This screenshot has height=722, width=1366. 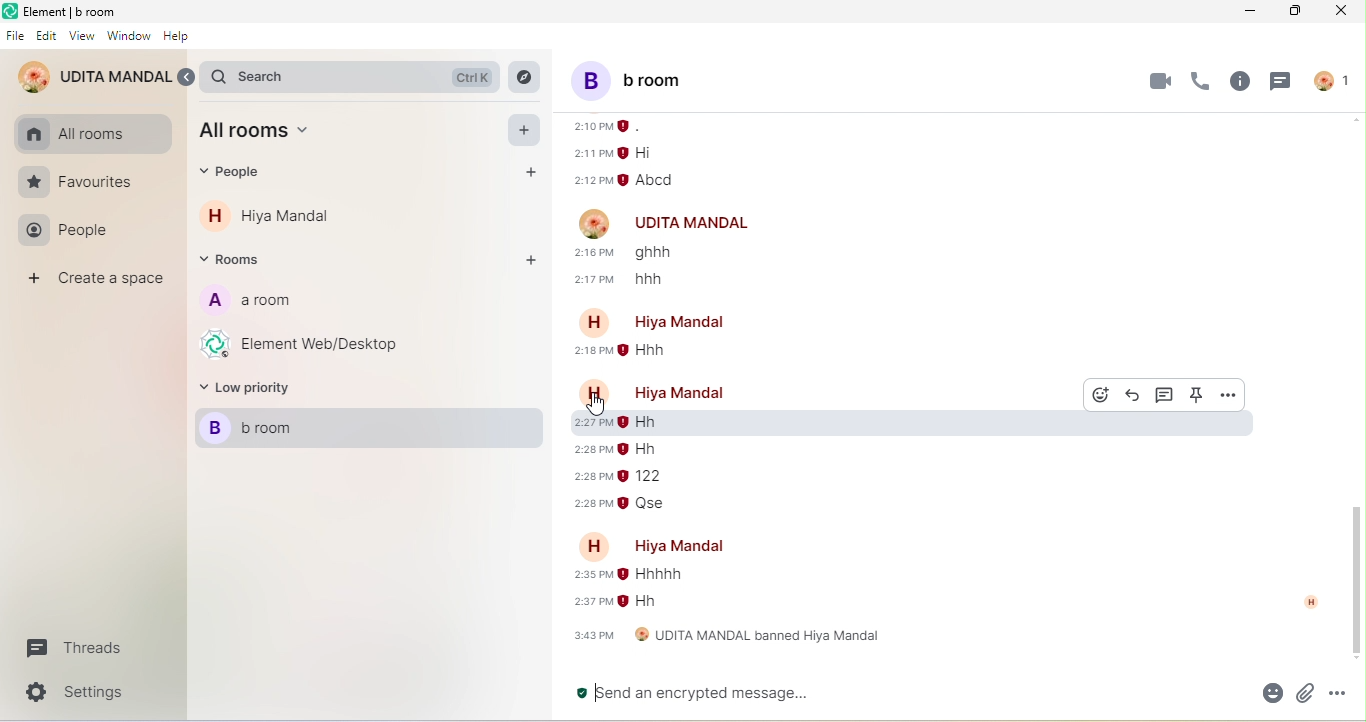 I want to click on create a space, so click(x=100, y=281).